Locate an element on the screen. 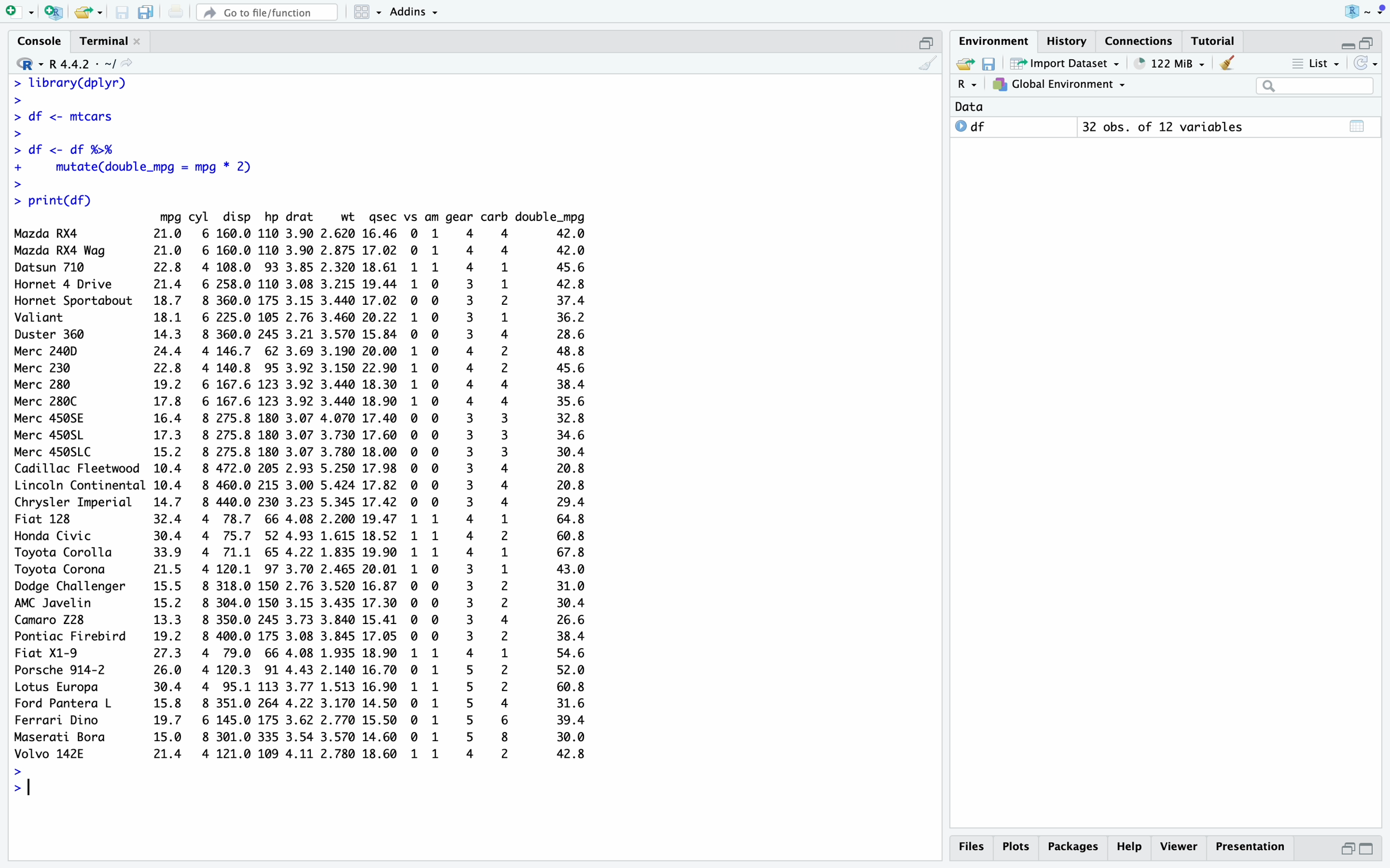 The image size is (1390, 868). history is located at coordinates (1069, 41).